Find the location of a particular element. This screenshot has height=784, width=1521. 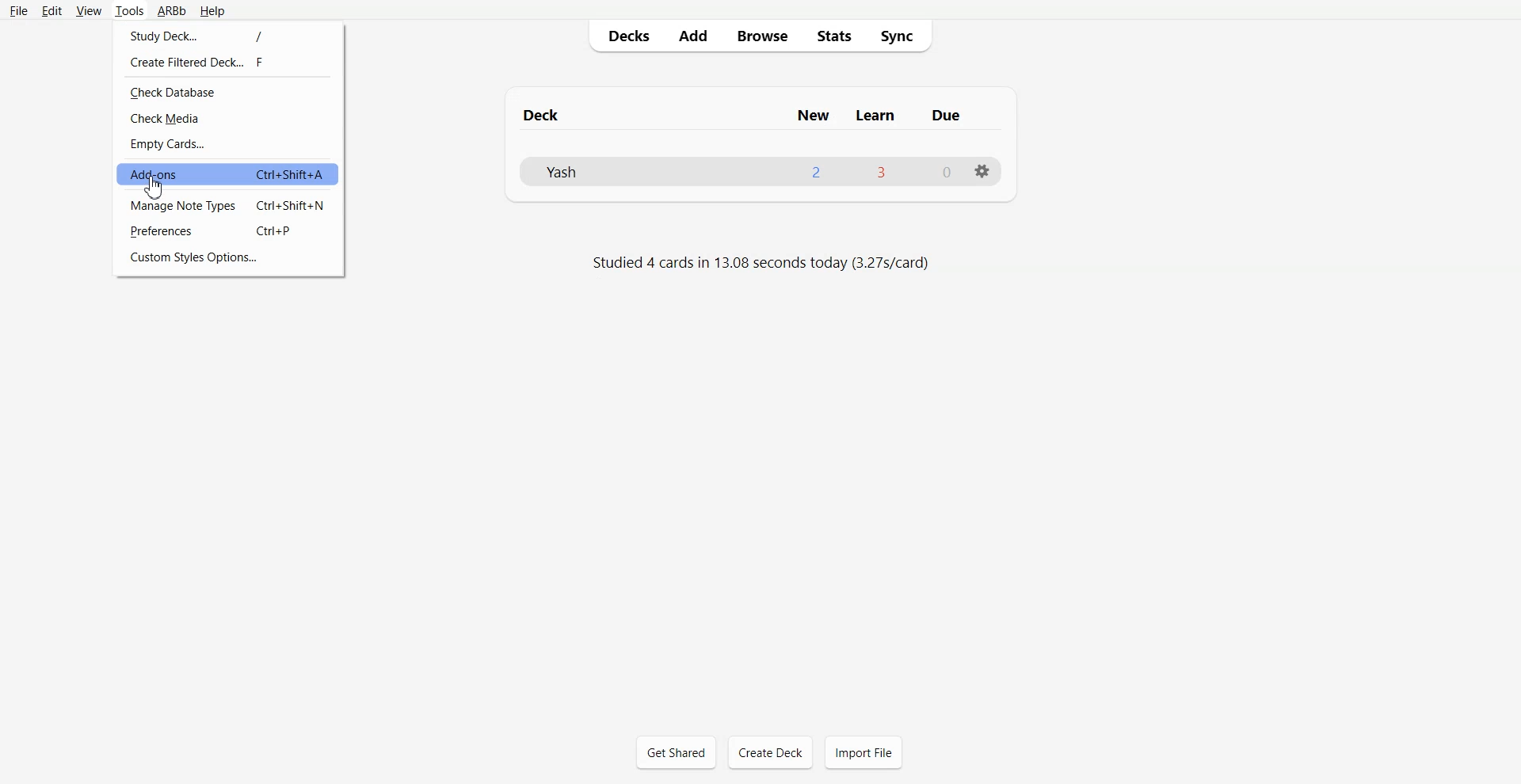

Check Media is located at coordinates (230, 119).